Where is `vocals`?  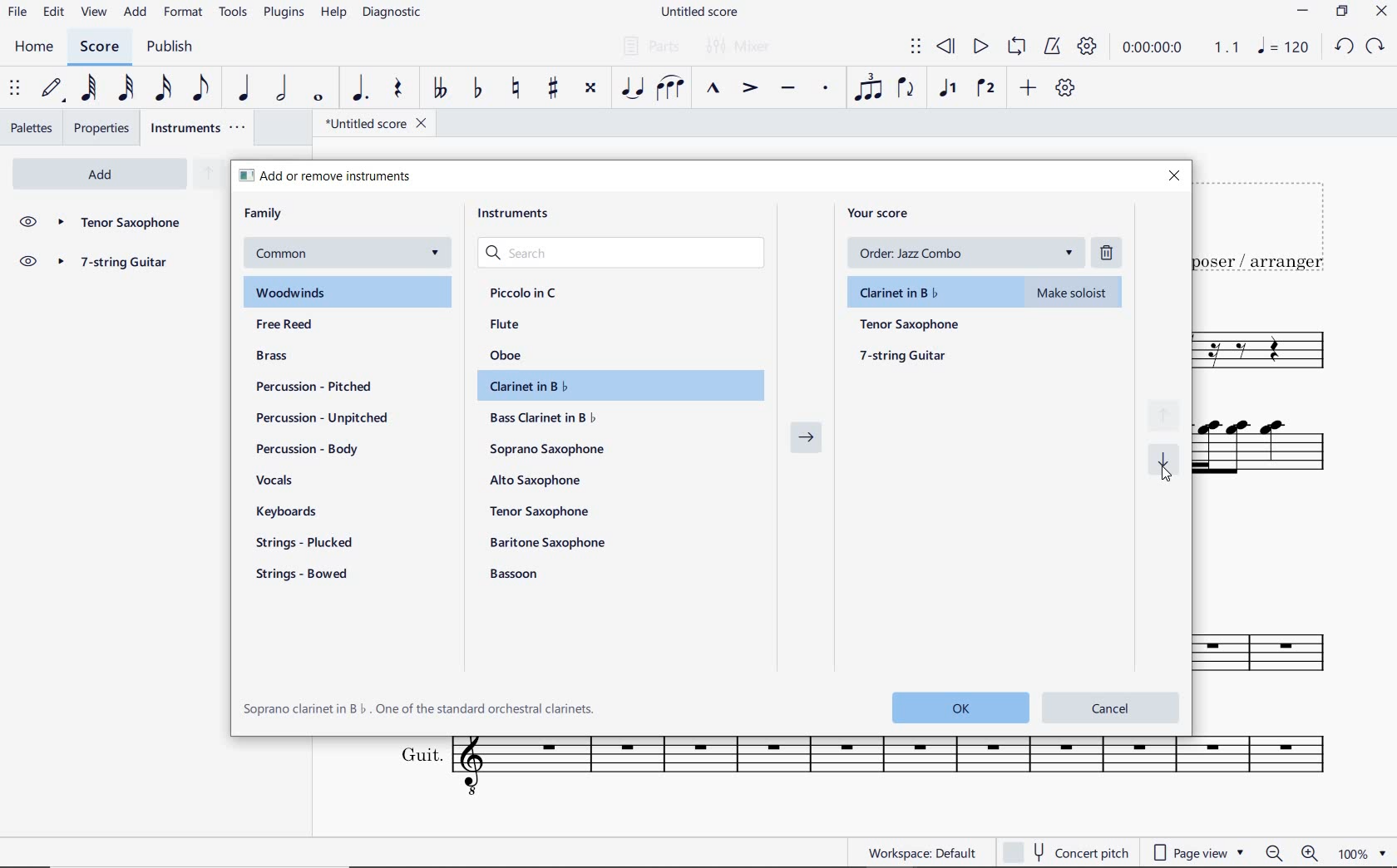 vocals is located at coordinates (275, 481).